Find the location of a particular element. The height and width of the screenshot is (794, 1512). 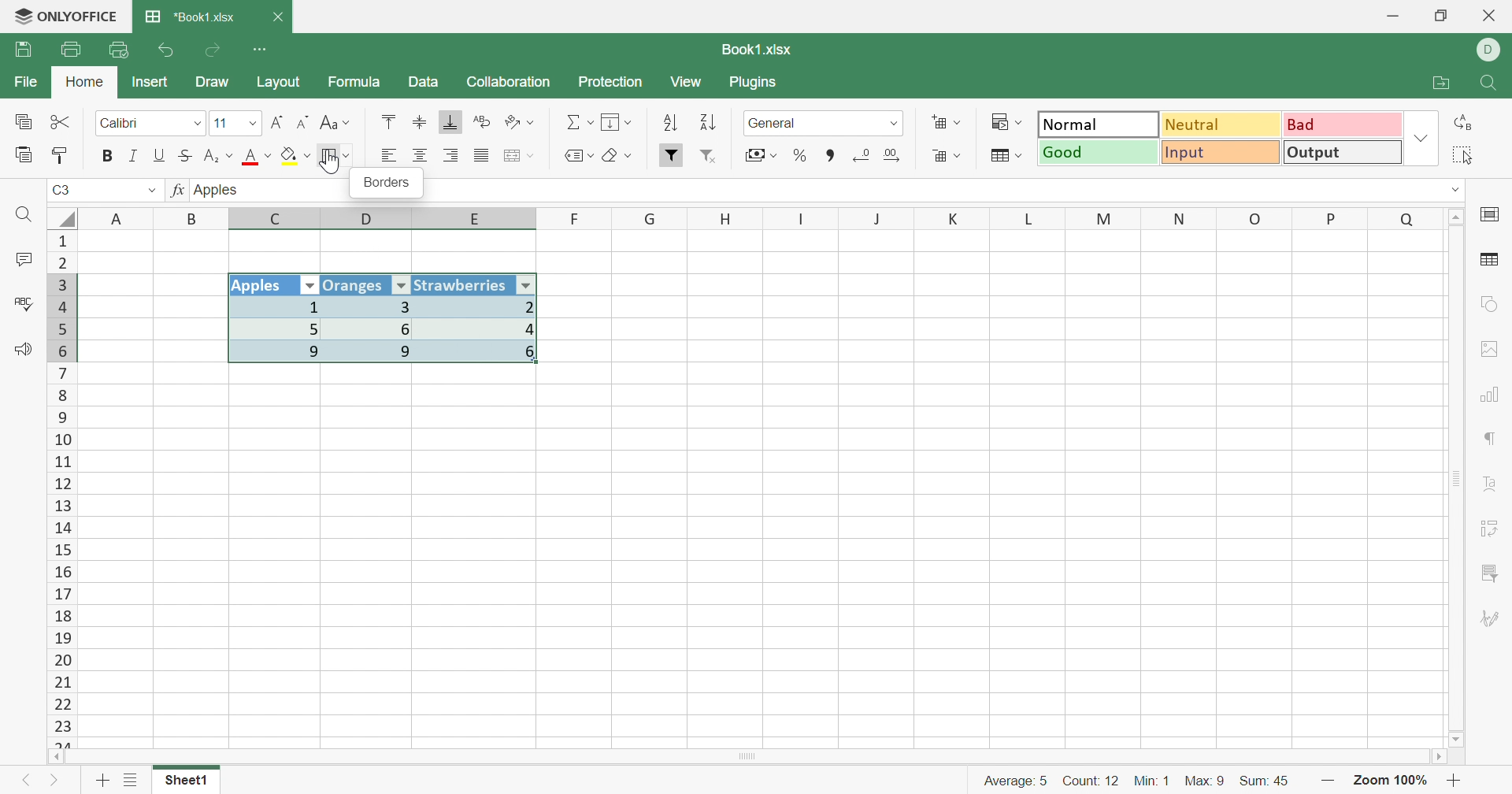

Scroll Up is located at coordinates (1458, 215).